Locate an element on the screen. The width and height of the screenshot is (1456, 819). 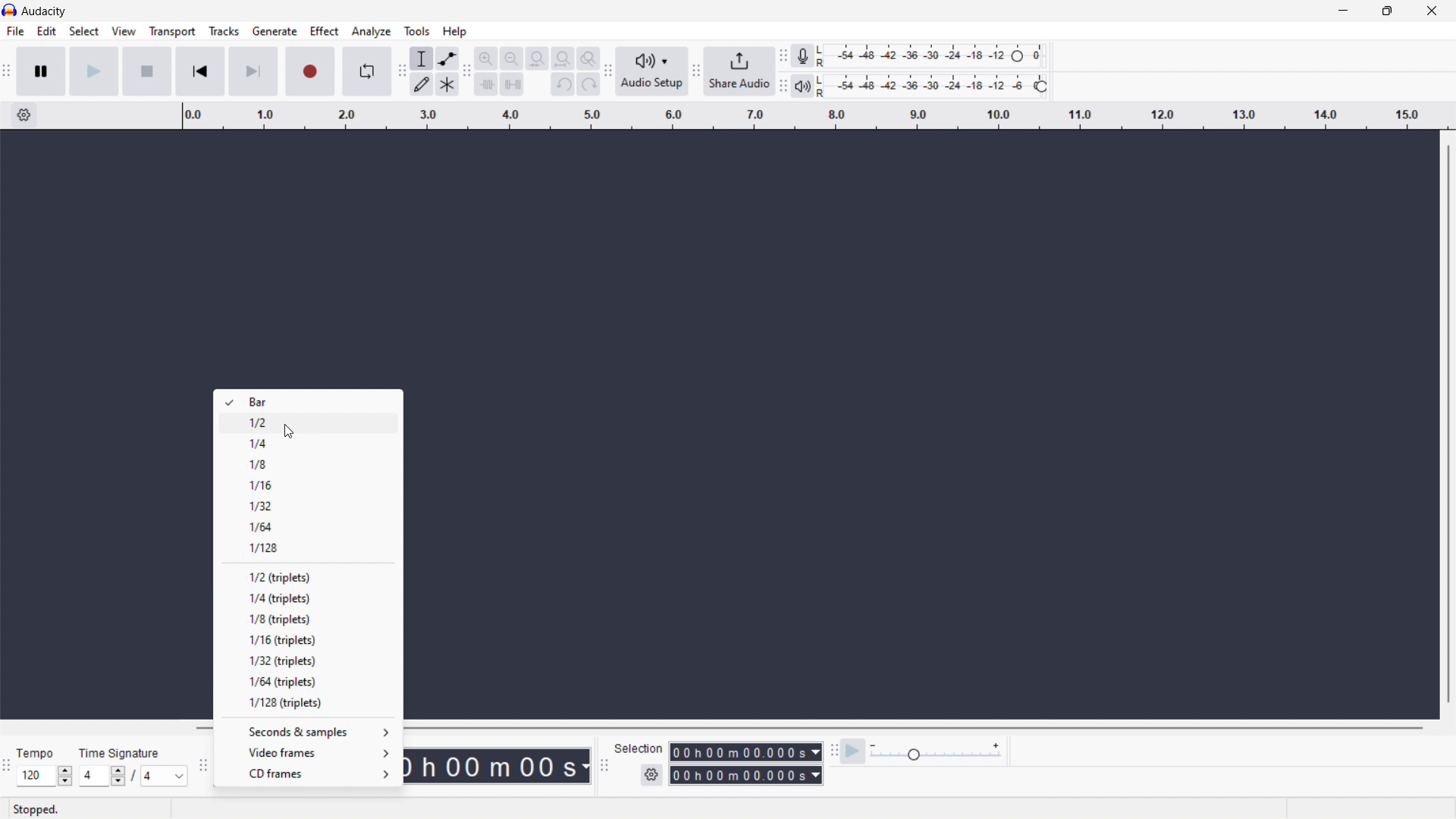
tracks is located at coordinates (224, 32).